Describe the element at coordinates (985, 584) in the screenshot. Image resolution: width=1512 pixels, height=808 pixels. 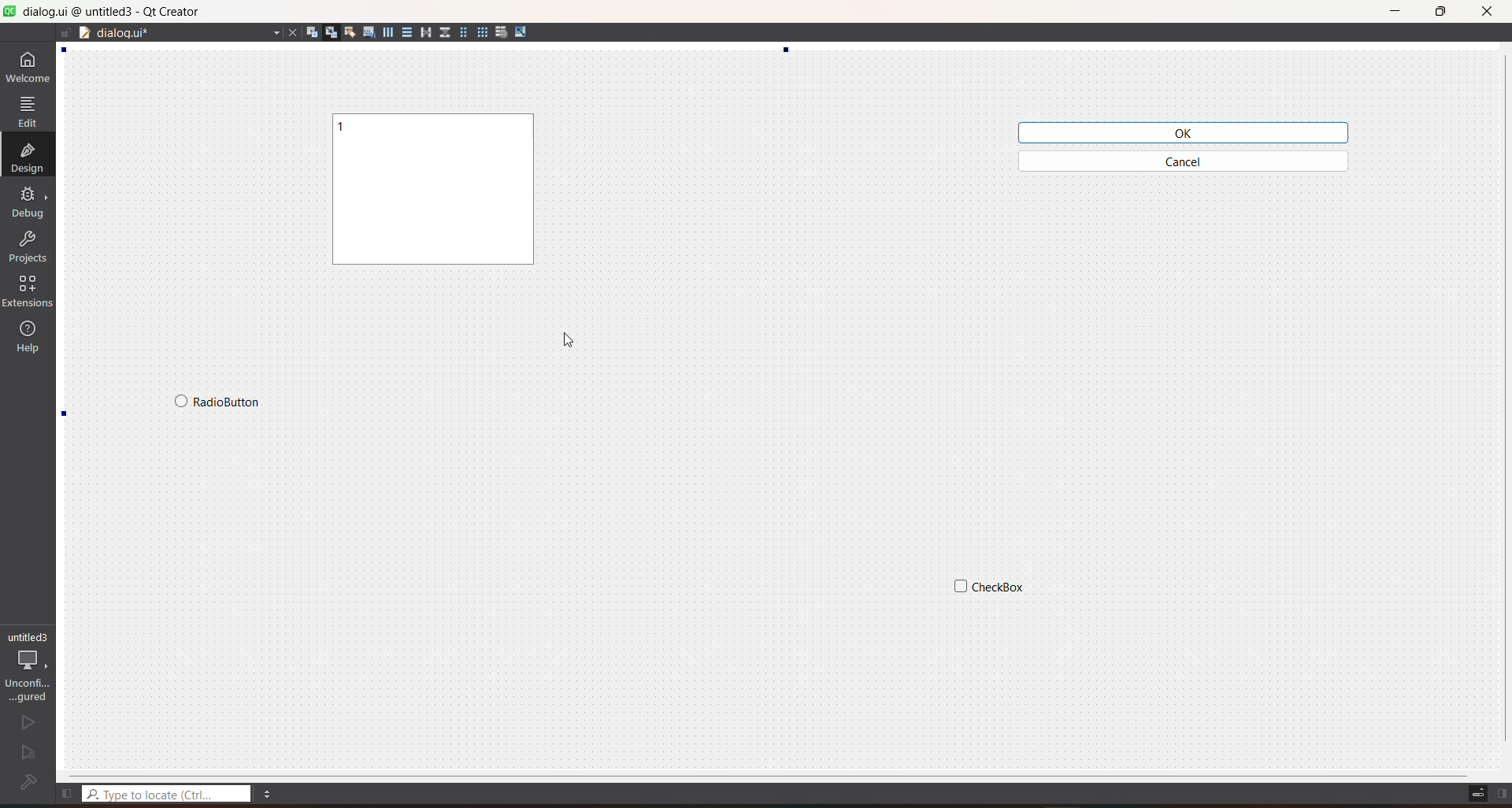
I see `widget` at that location.